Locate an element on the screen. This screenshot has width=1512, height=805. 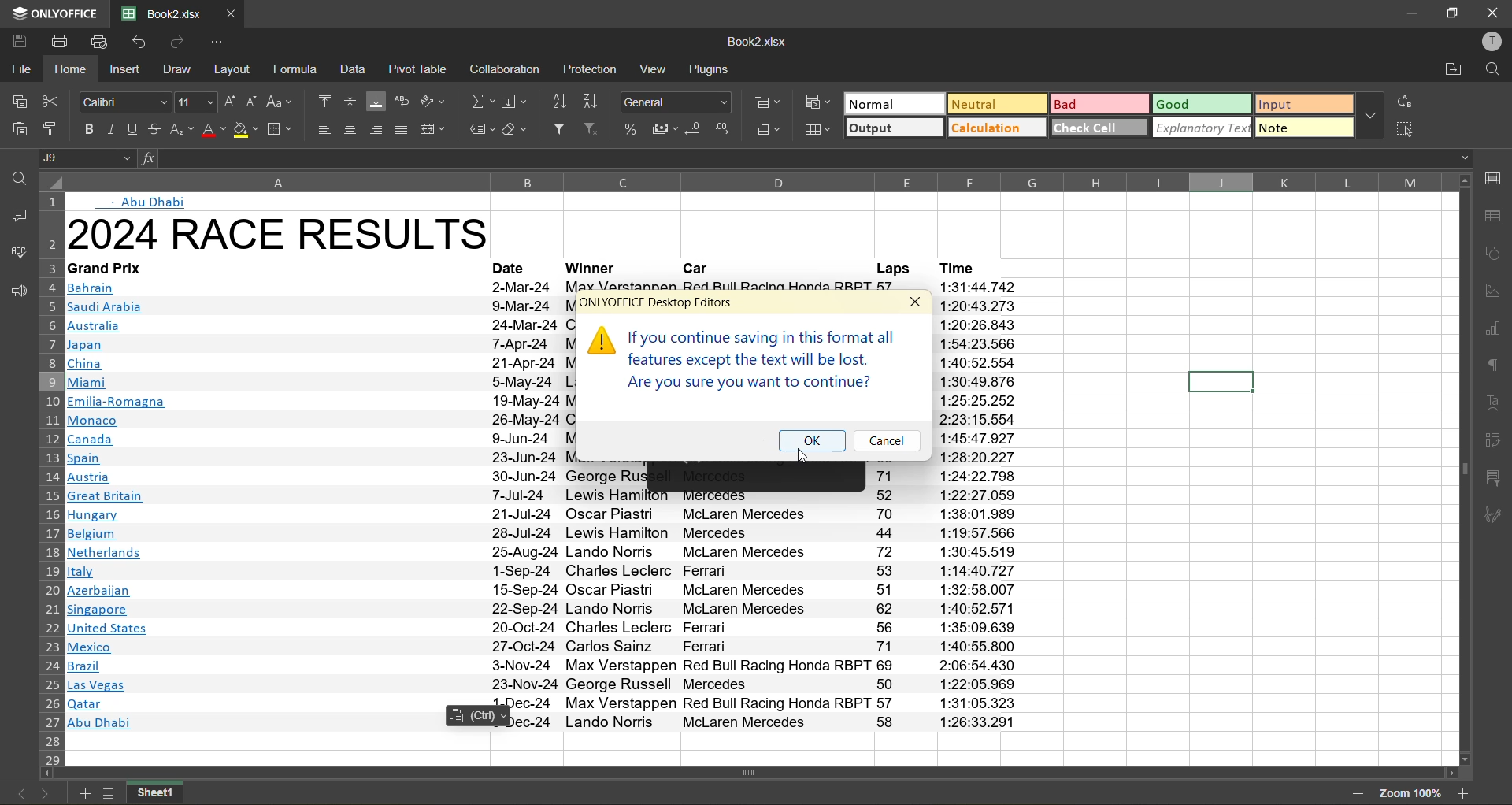
text info is located at coordinates (543, 571).